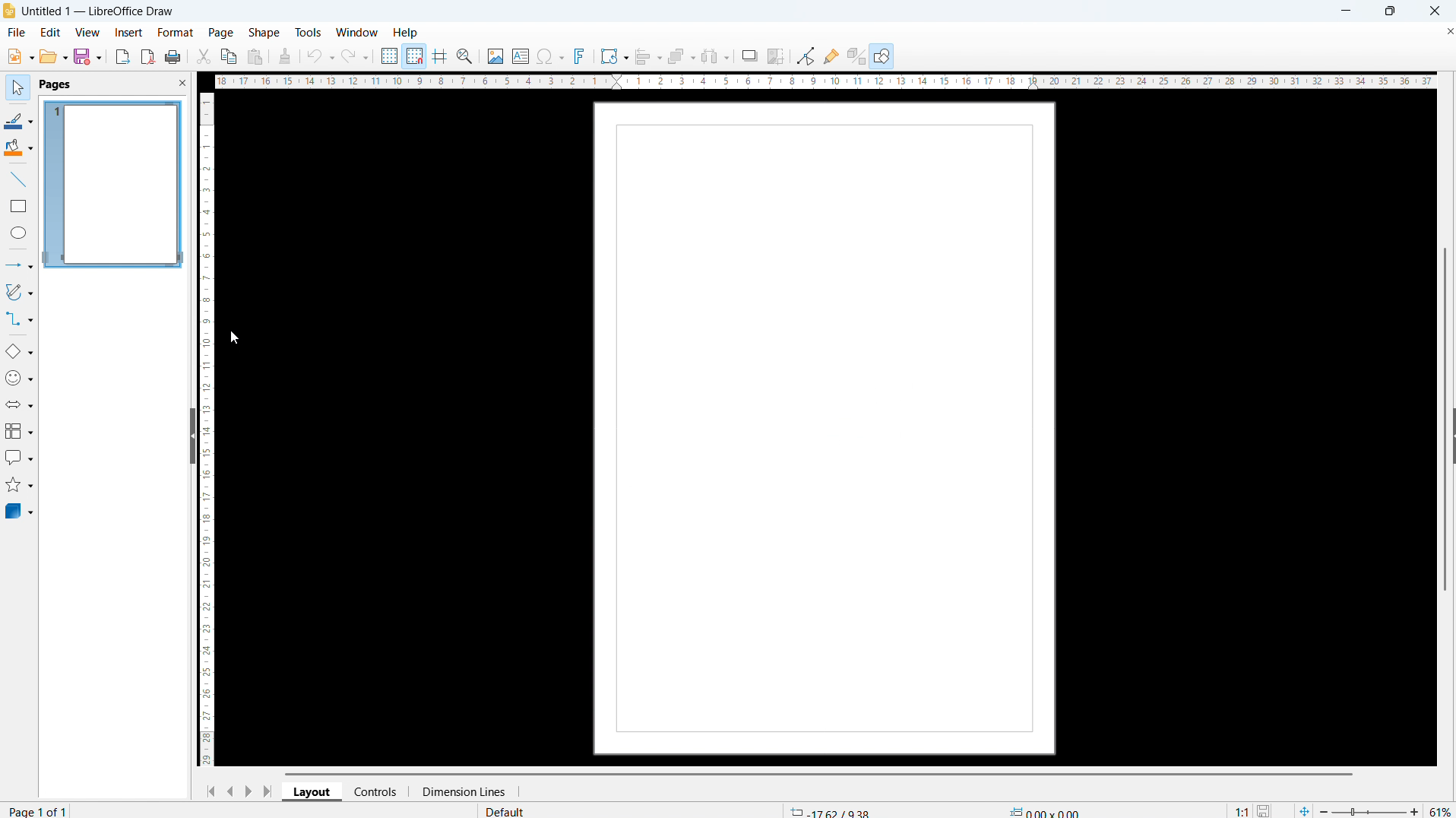 Image resolution: width=1456 pixels, height=818 pixels. What do you see at coordinates (87, 33) in the screenshot?
I see `view` at bounding box center [87, 33].